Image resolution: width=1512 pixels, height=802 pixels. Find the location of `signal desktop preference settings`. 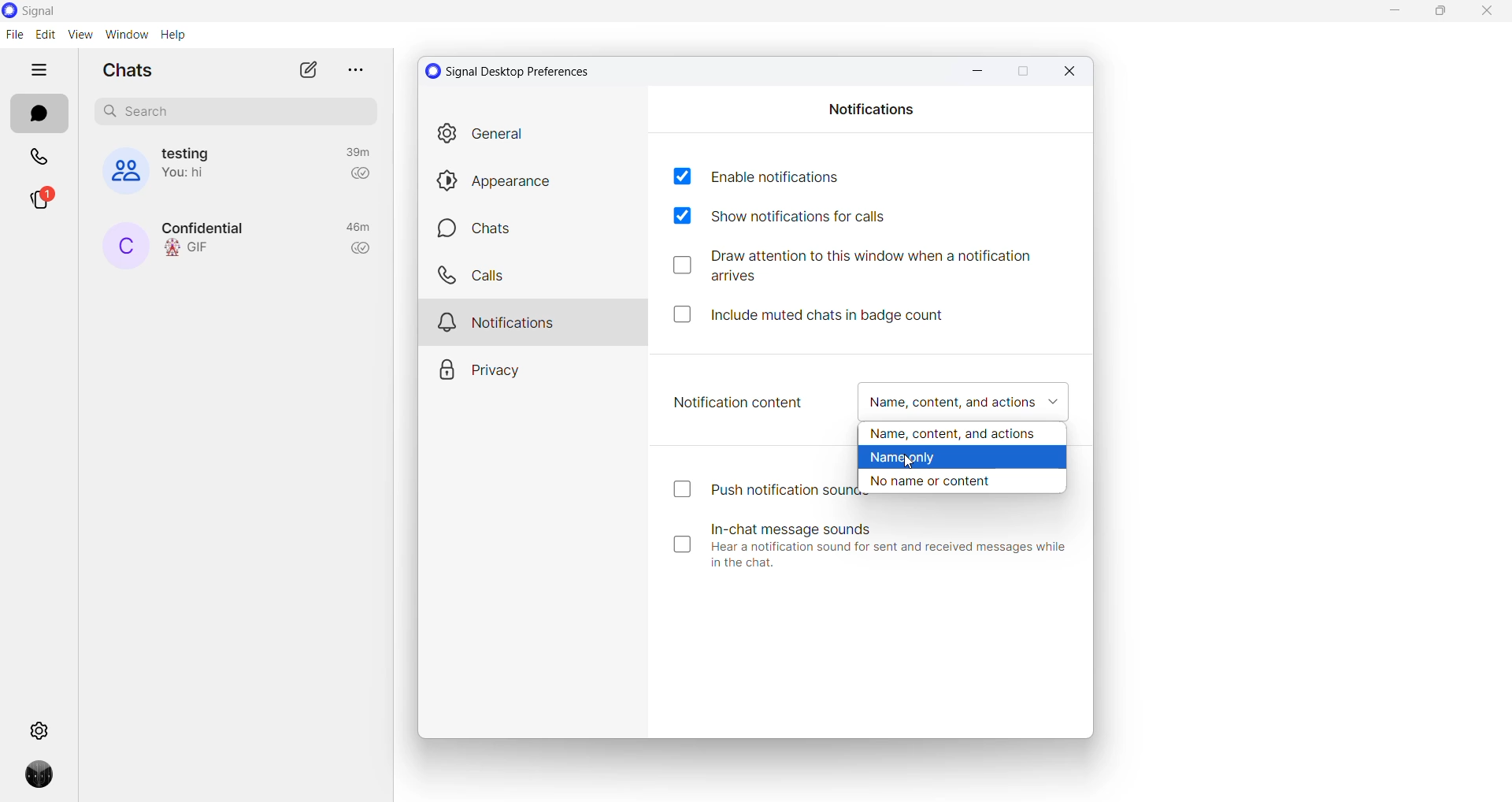

signal desktop preference settings is located at coordinates (517, 71).